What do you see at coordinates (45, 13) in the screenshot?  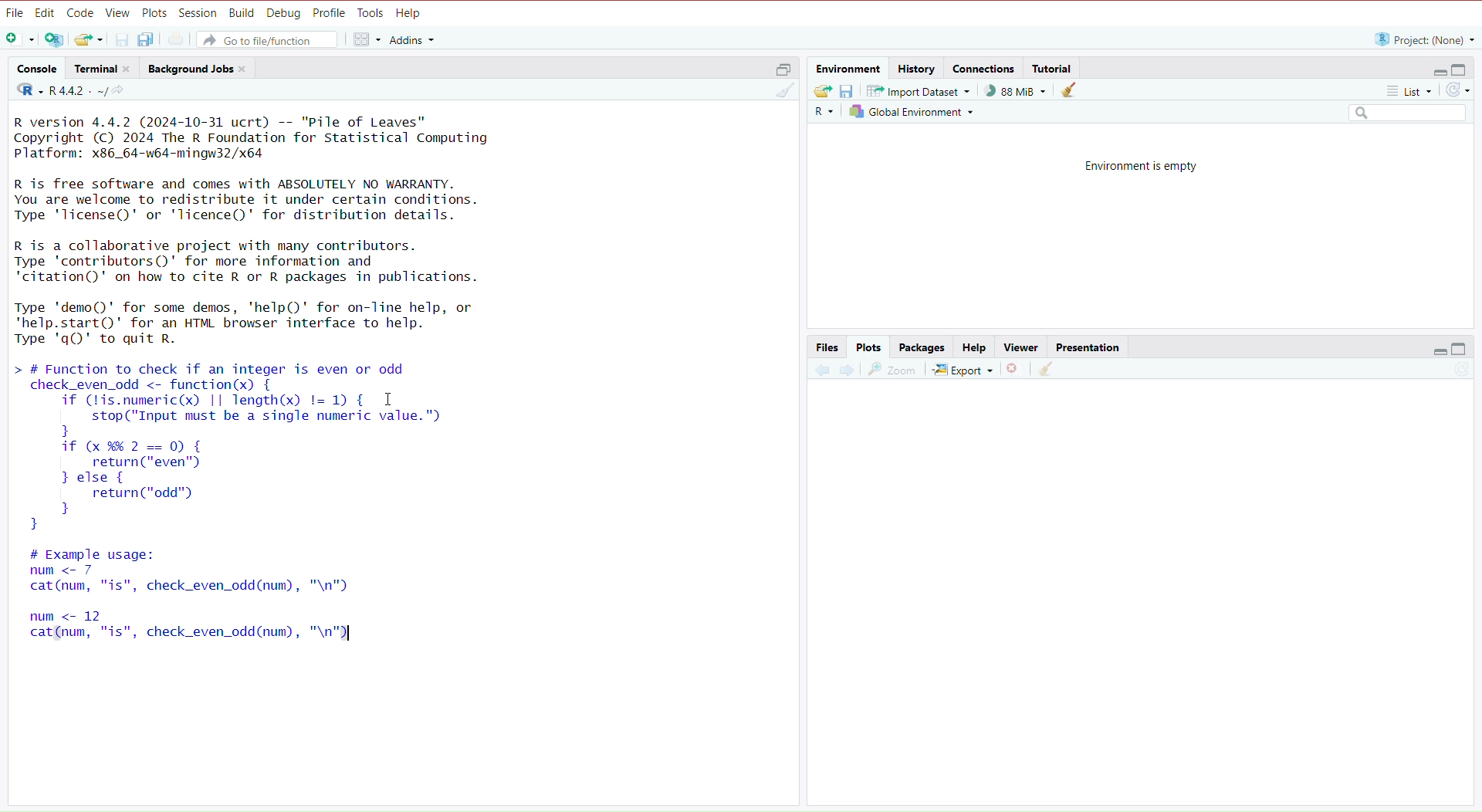 I see `edit` at bounding box center [45, 13].